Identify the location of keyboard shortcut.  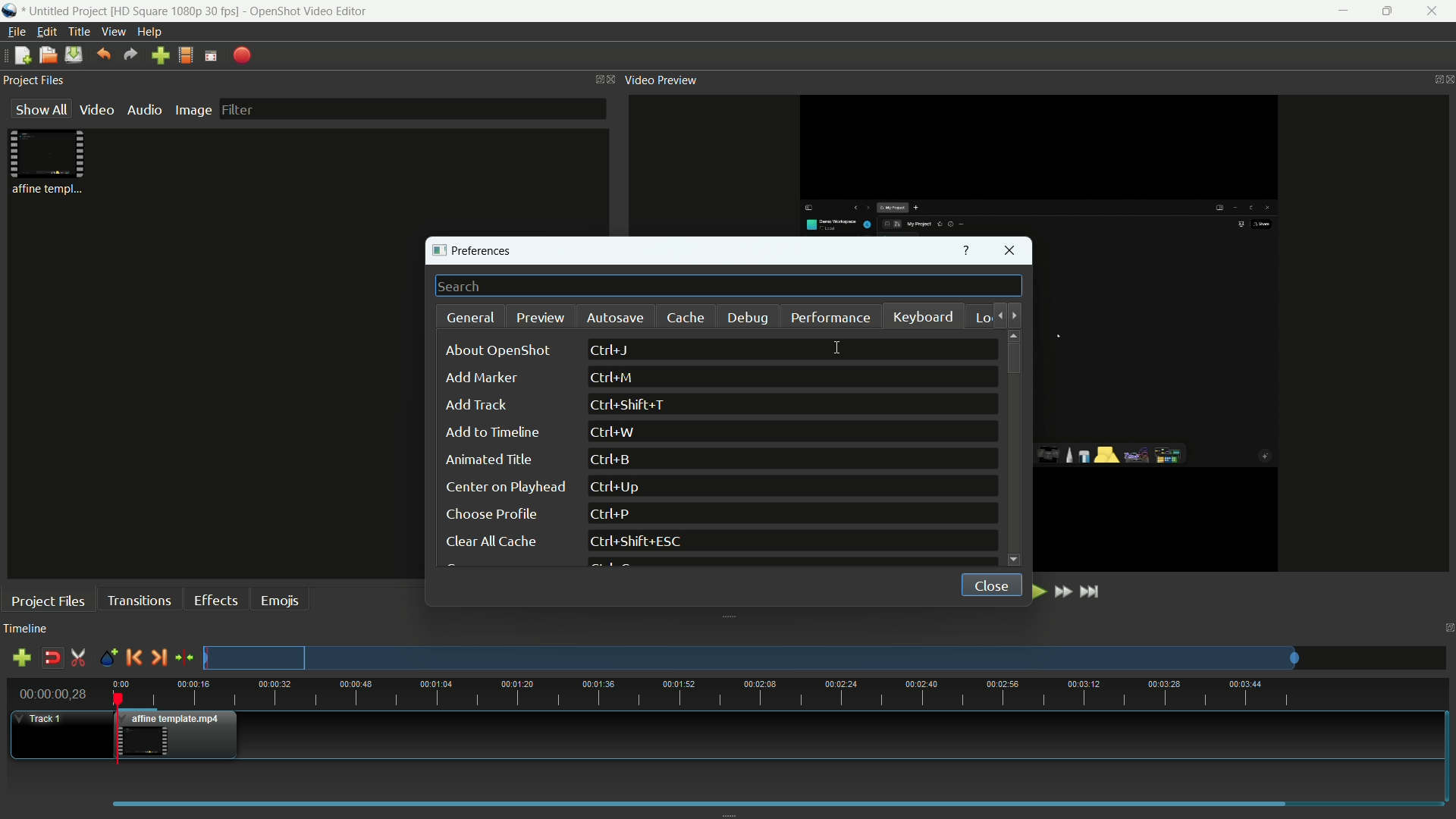
(639, 542).